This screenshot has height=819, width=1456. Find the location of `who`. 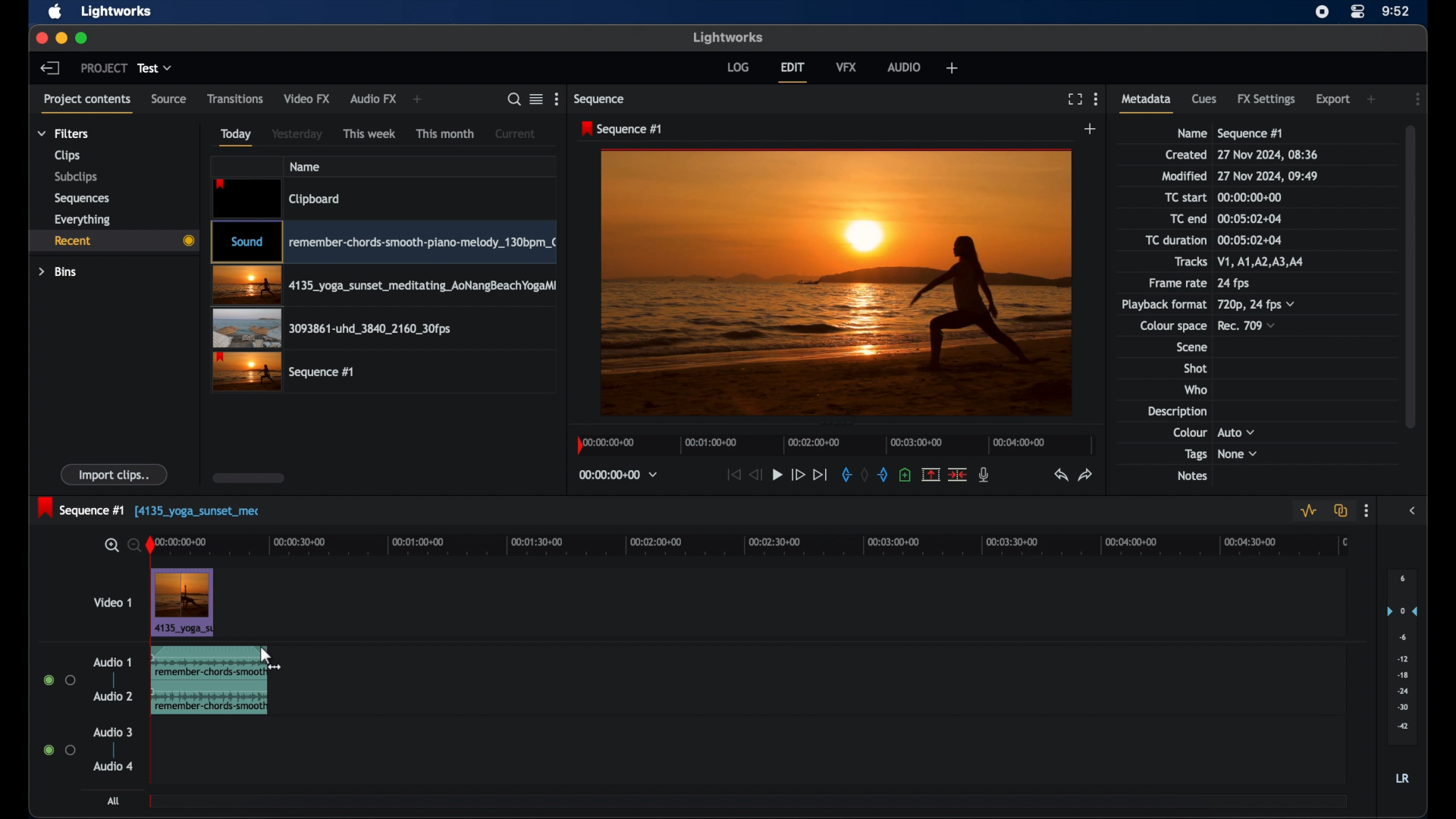

who is located at coordinates (1196, 389).